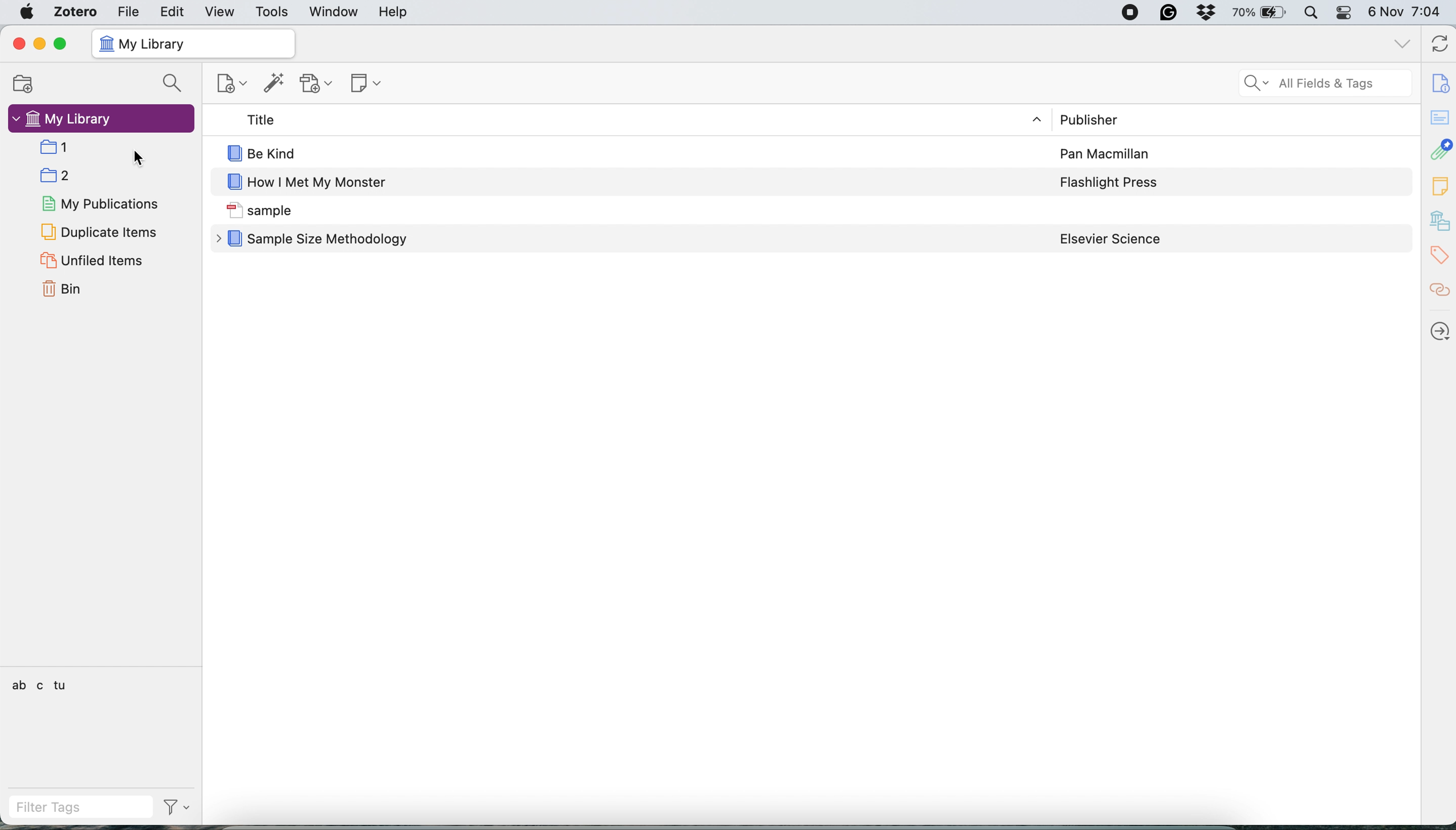  What do you see at coordinates (27, 82) in the screenshot?
I see `new collection` at bounding box center [27, 82].